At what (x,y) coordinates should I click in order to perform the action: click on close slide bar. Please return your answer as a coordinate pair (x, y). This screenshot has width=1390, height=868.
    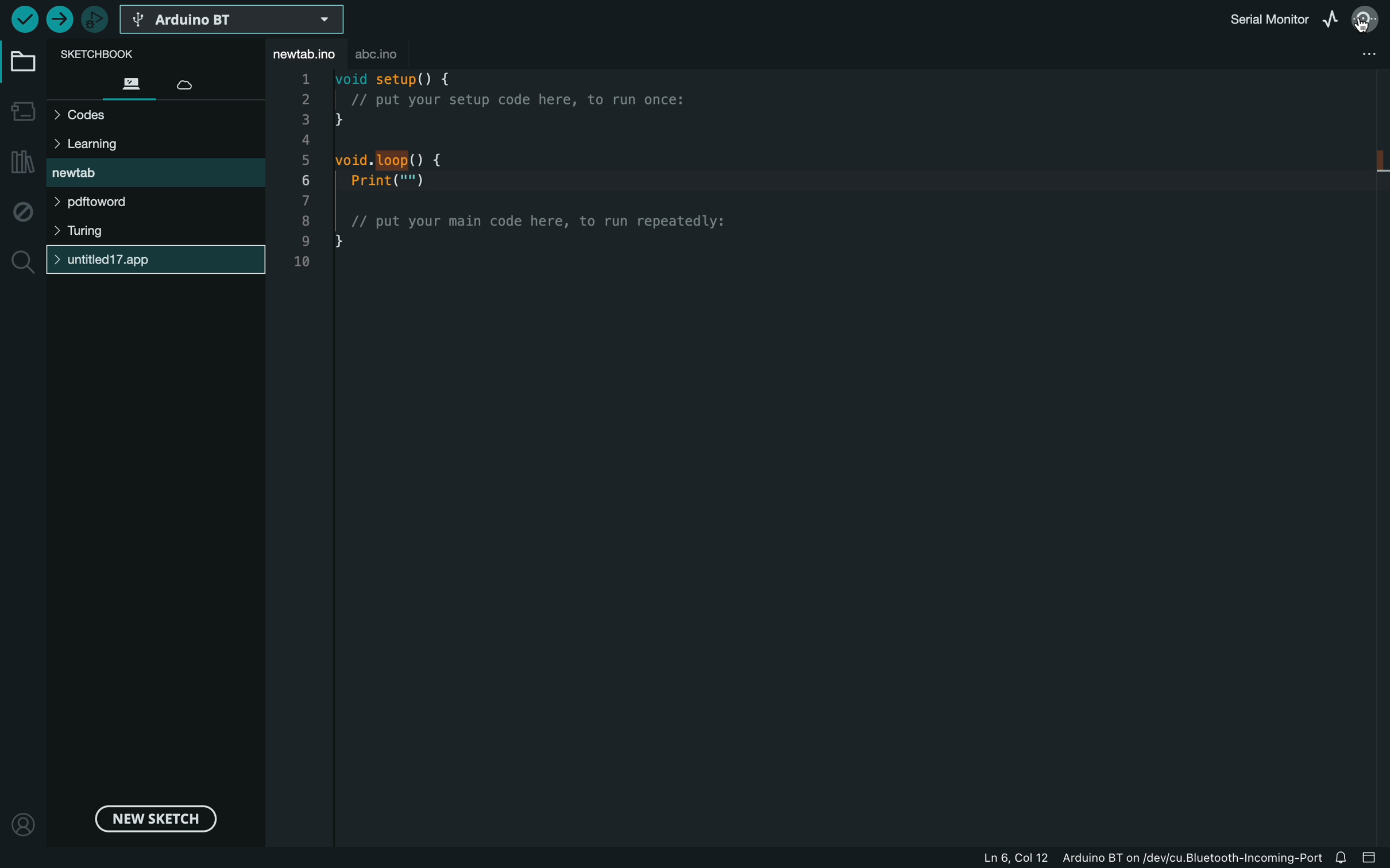
    Looking at the image, I should click on (1373, 859).